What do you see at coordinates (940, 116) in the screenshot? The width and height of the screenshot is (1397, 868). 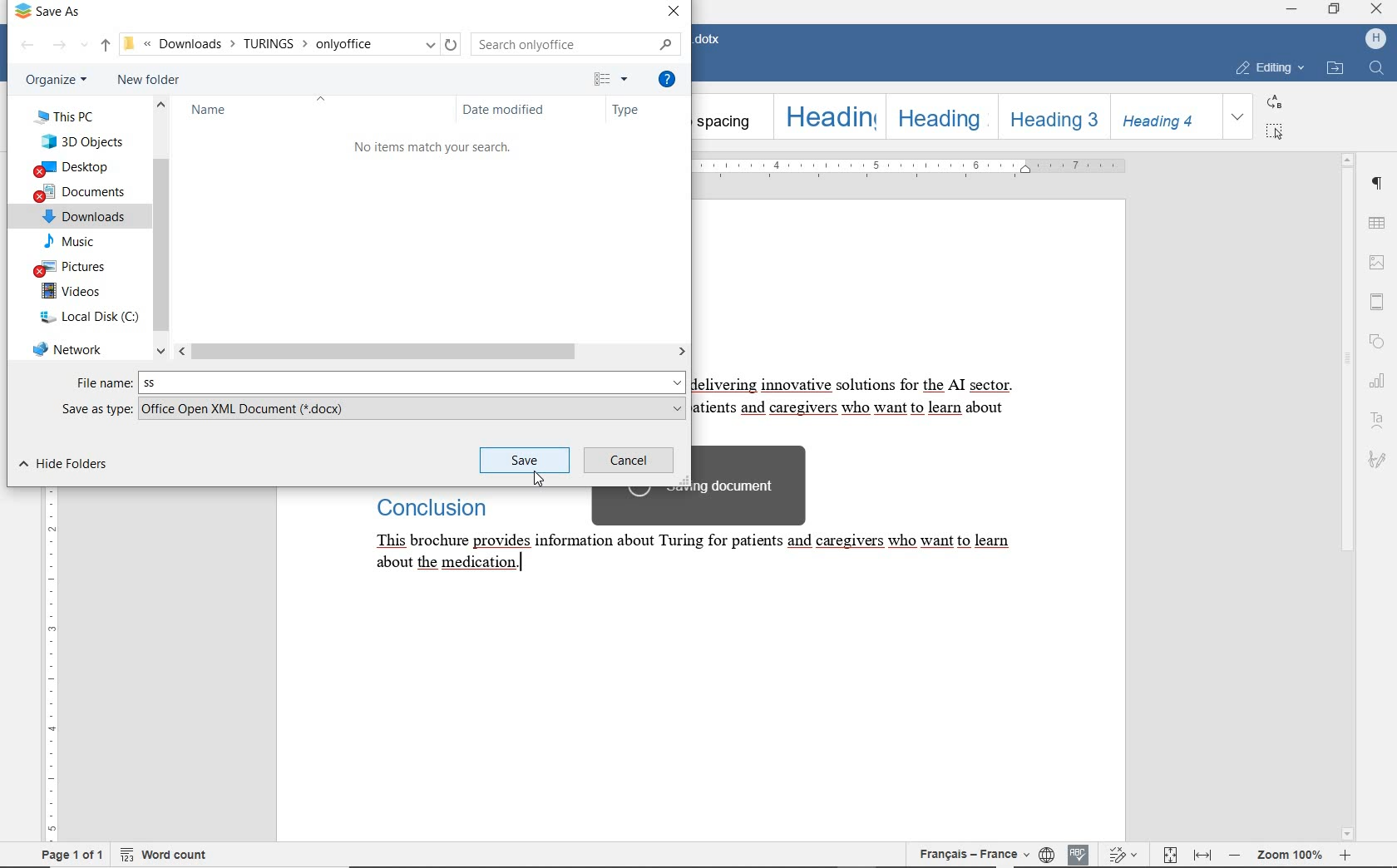 I see `HEADING 2` at bounding box center [940, 116].